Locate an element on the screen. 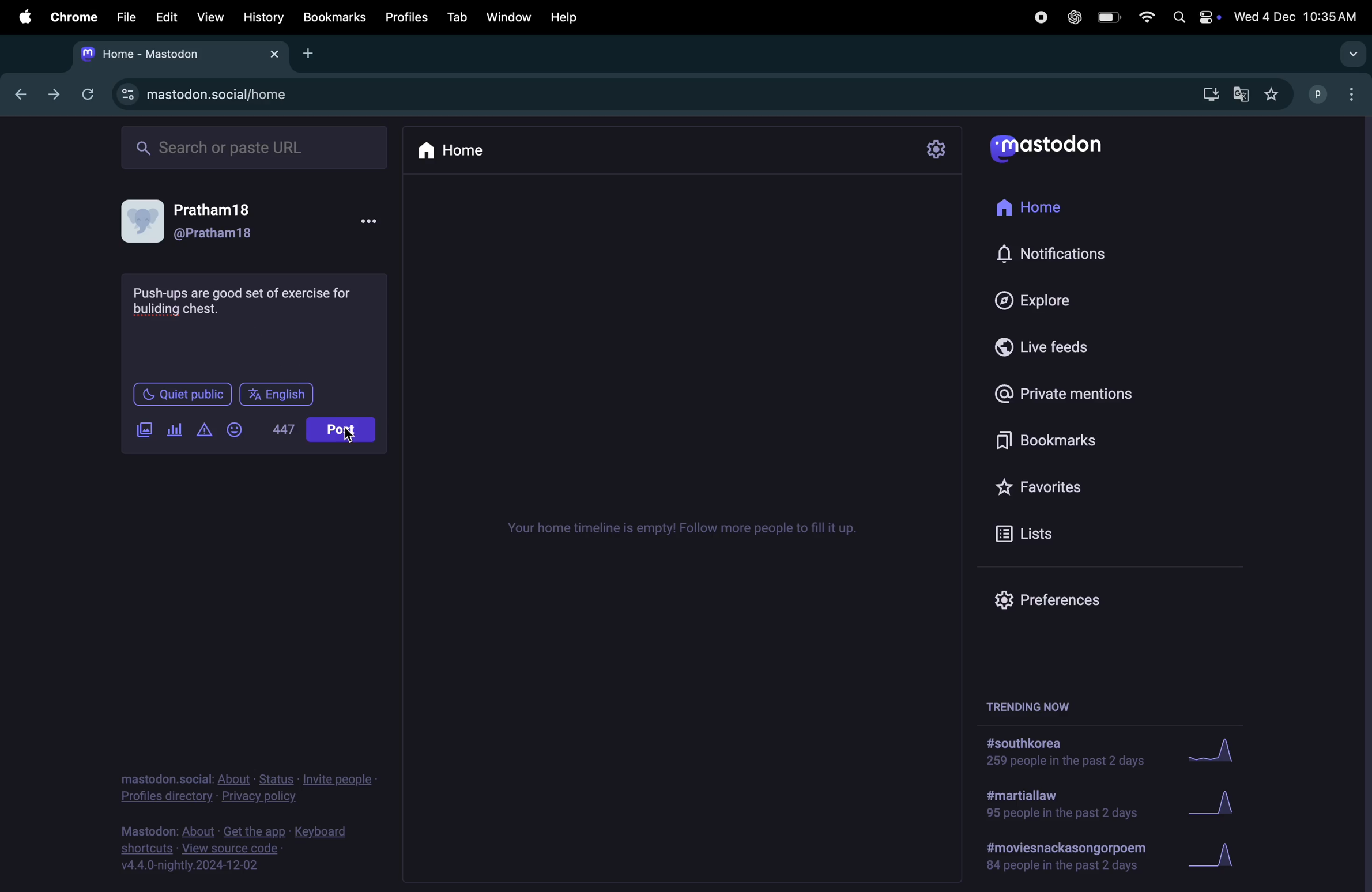 This screenshot has width=1372, height=892. create alert is located at coordinates (205, 432).